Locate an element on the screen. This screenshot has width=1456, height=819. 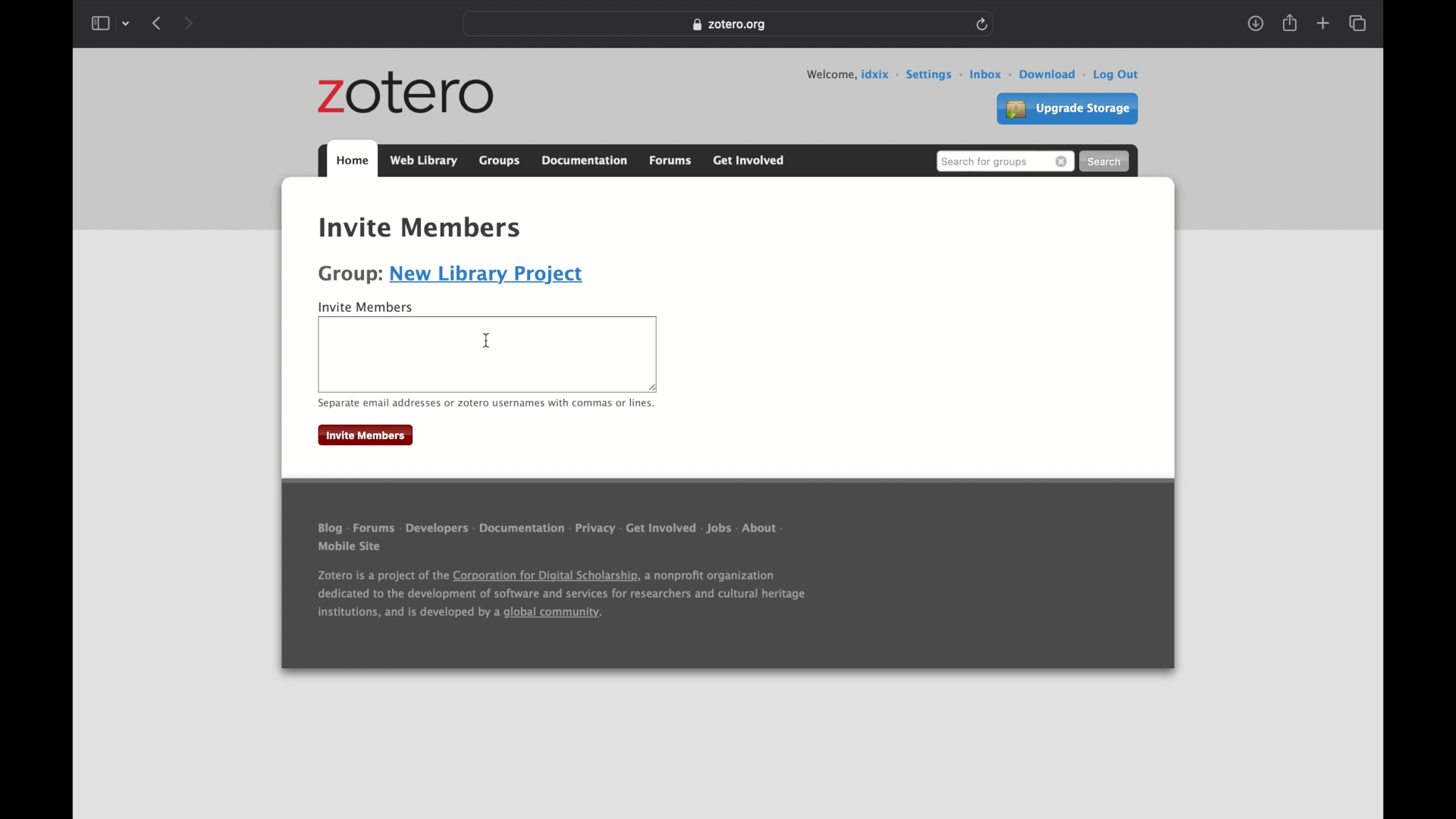
documentation is located at coordinates (523, 530).